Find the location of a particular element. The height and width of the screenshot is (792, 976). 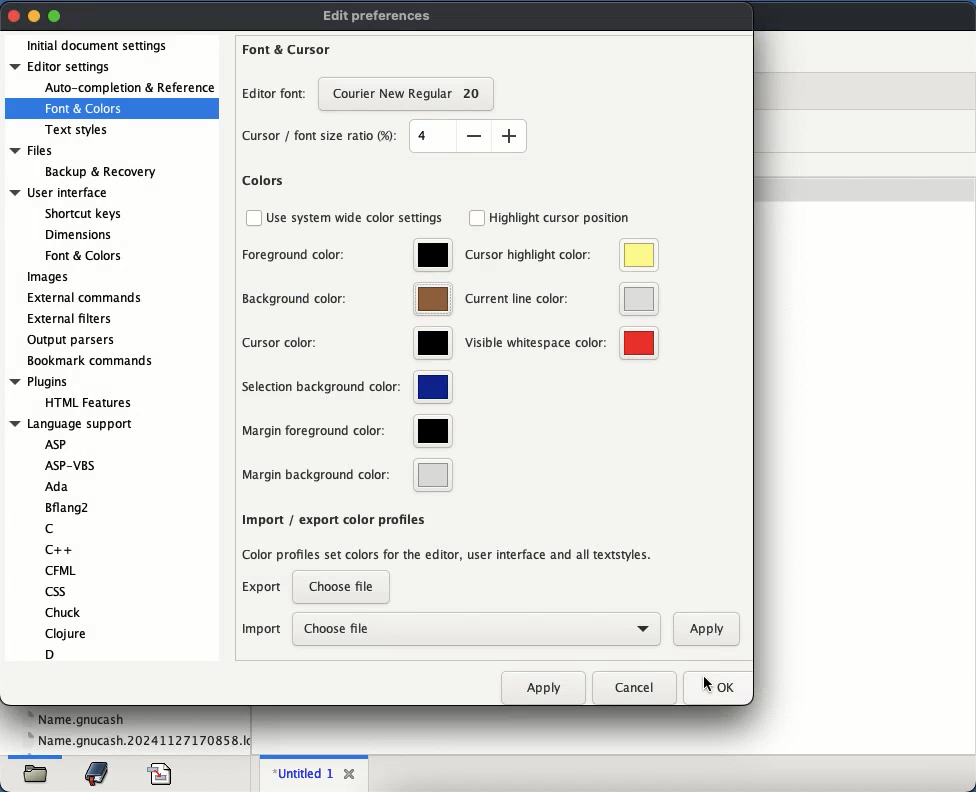

Language support is located at coordinates (72, 422).